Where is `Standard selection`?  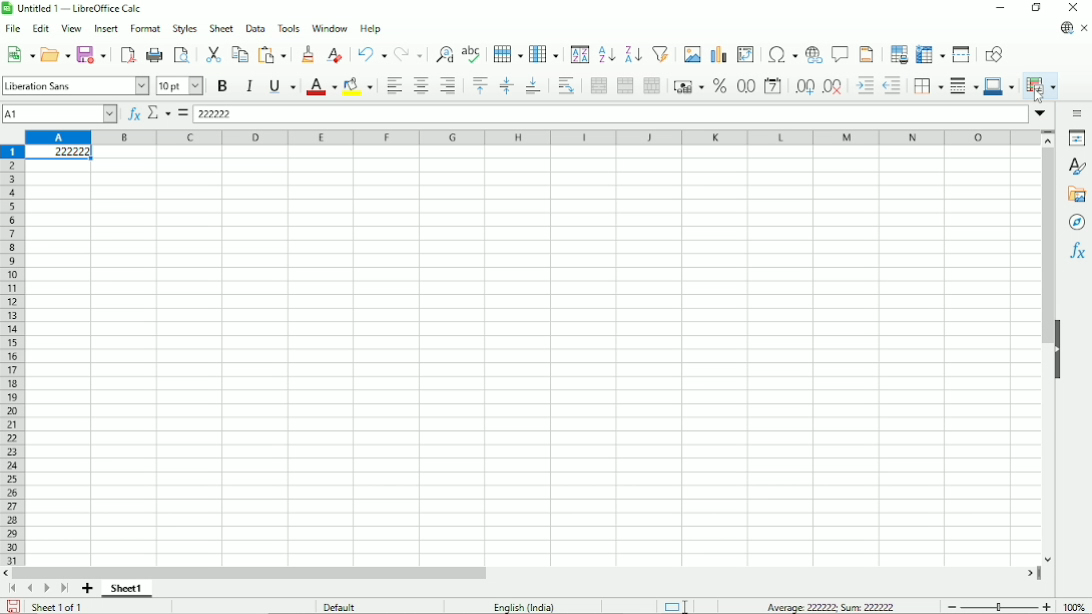
Standard selection is located at coordinates (674, 605).